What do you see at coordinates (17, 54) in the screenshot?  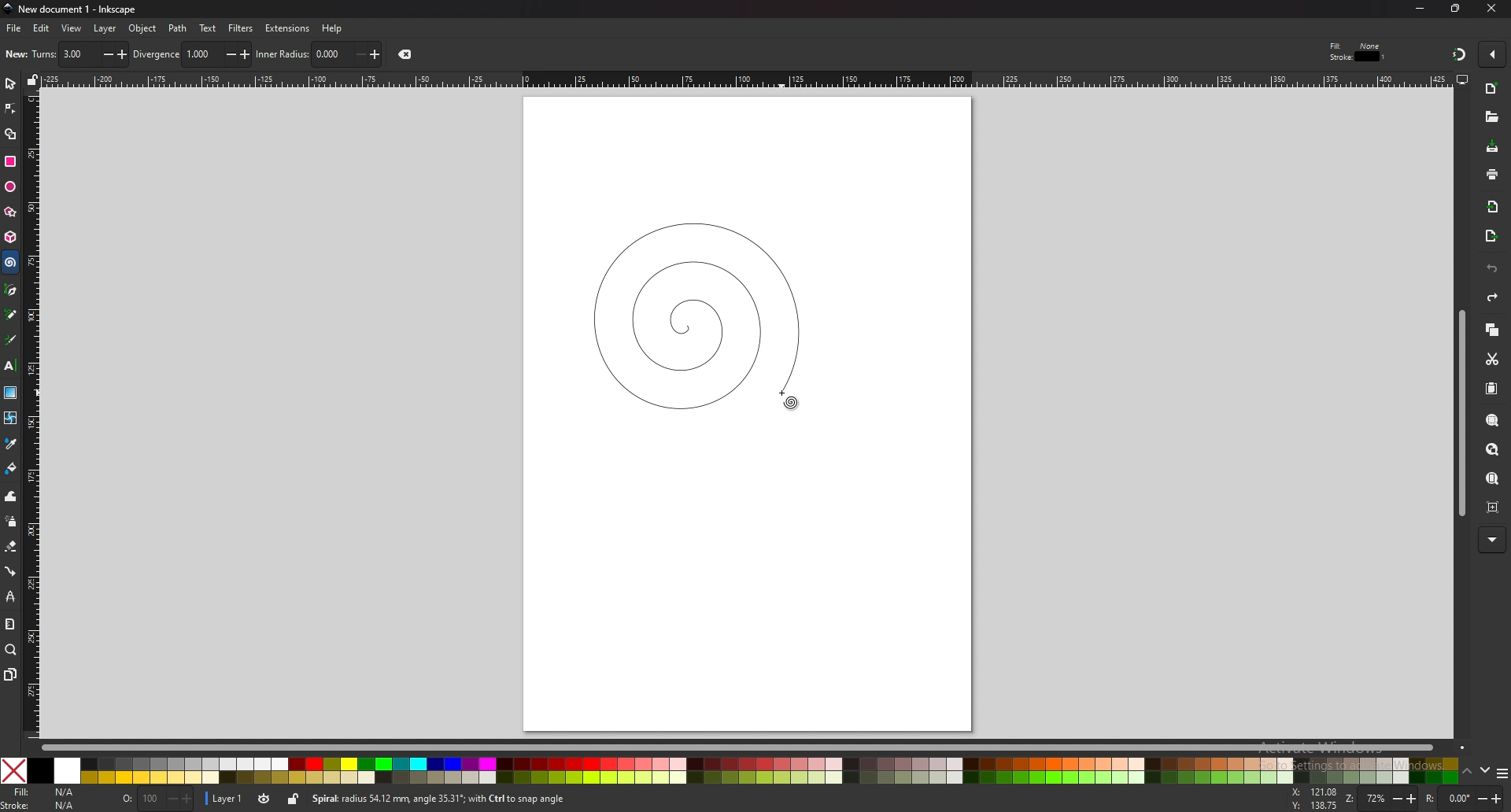 I see `new:` at bounding box center [17, 54].